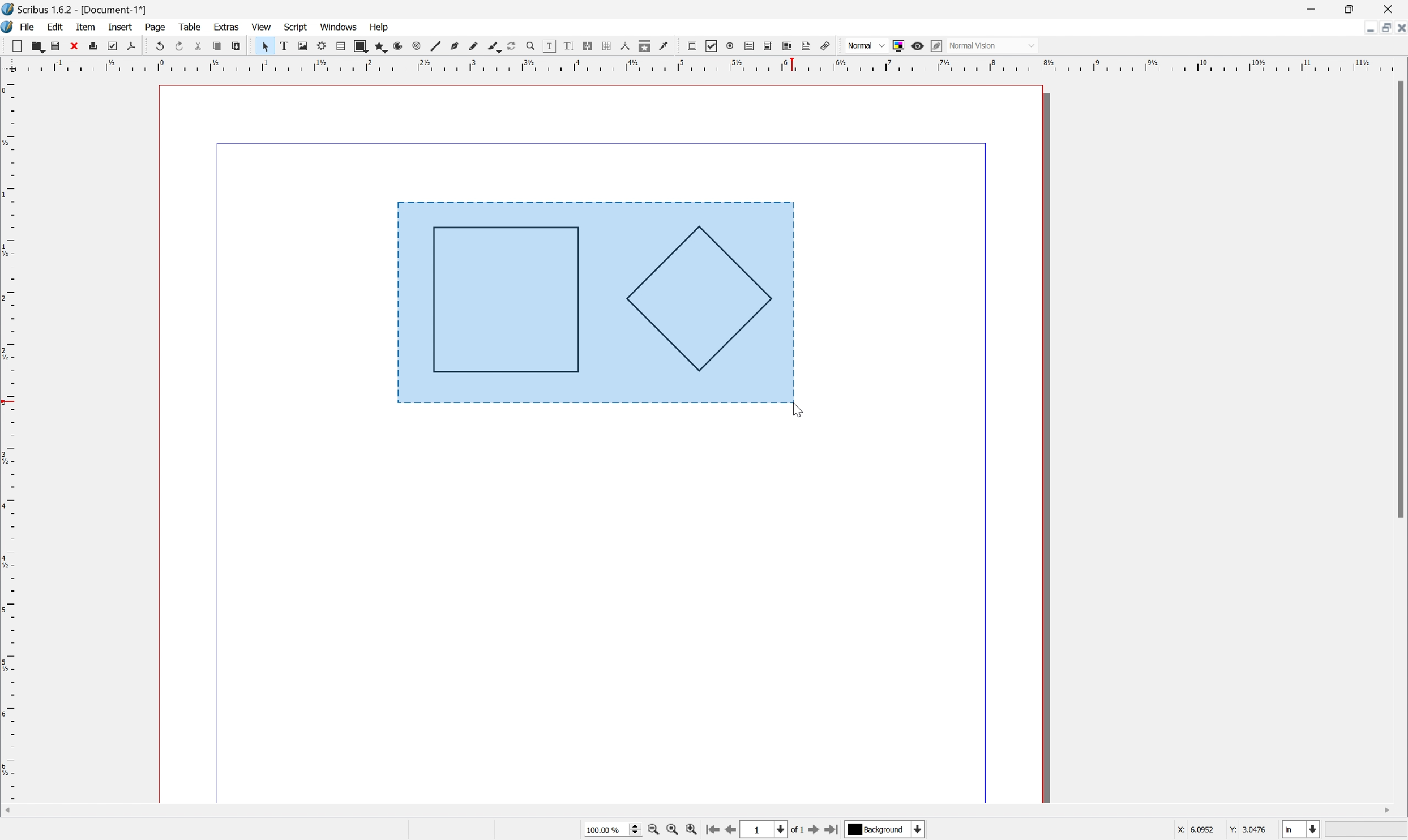  What do you see at coordinates (624, 46) in the screenshot?
I see `measurements` at bounding box center [624, 46].